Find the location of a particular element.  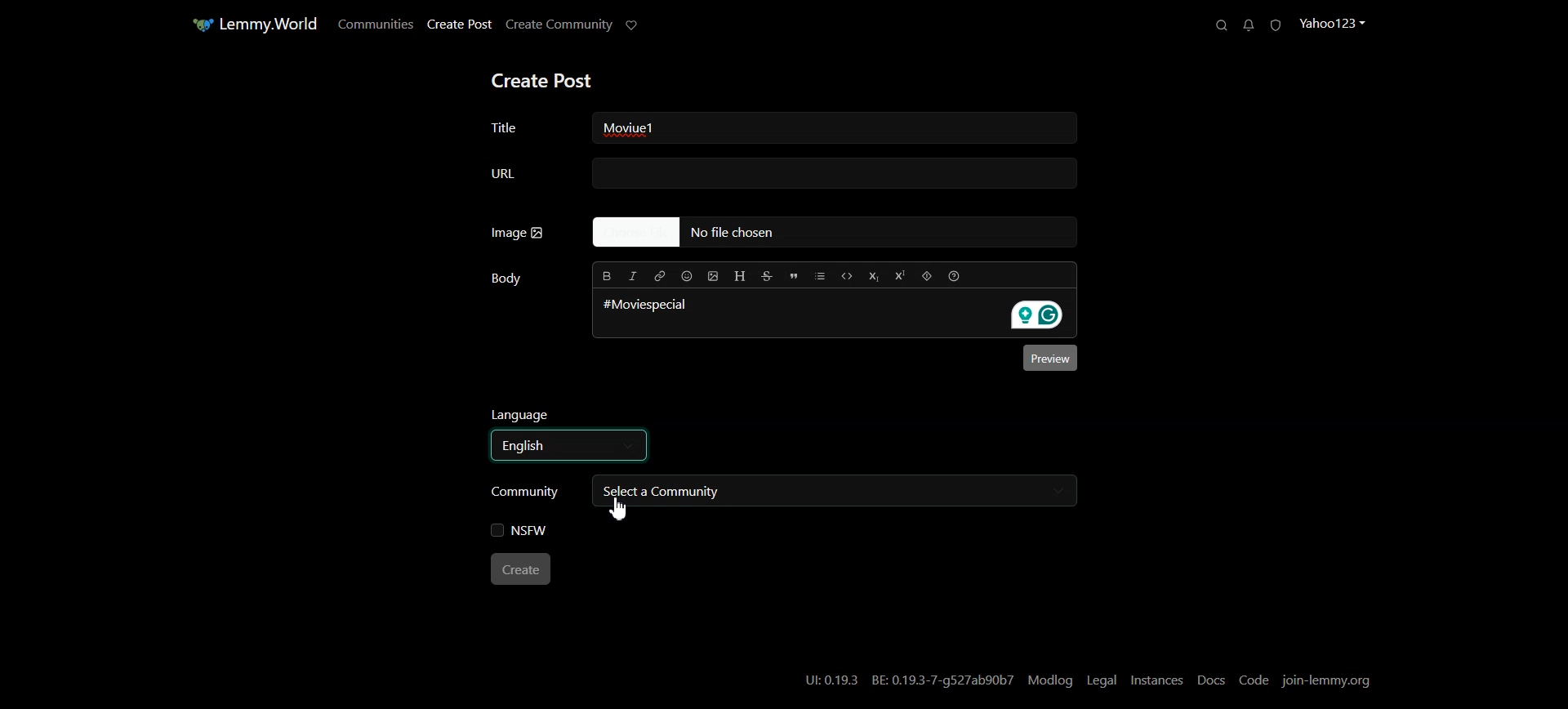

Title is located at coordinates (523, 126).